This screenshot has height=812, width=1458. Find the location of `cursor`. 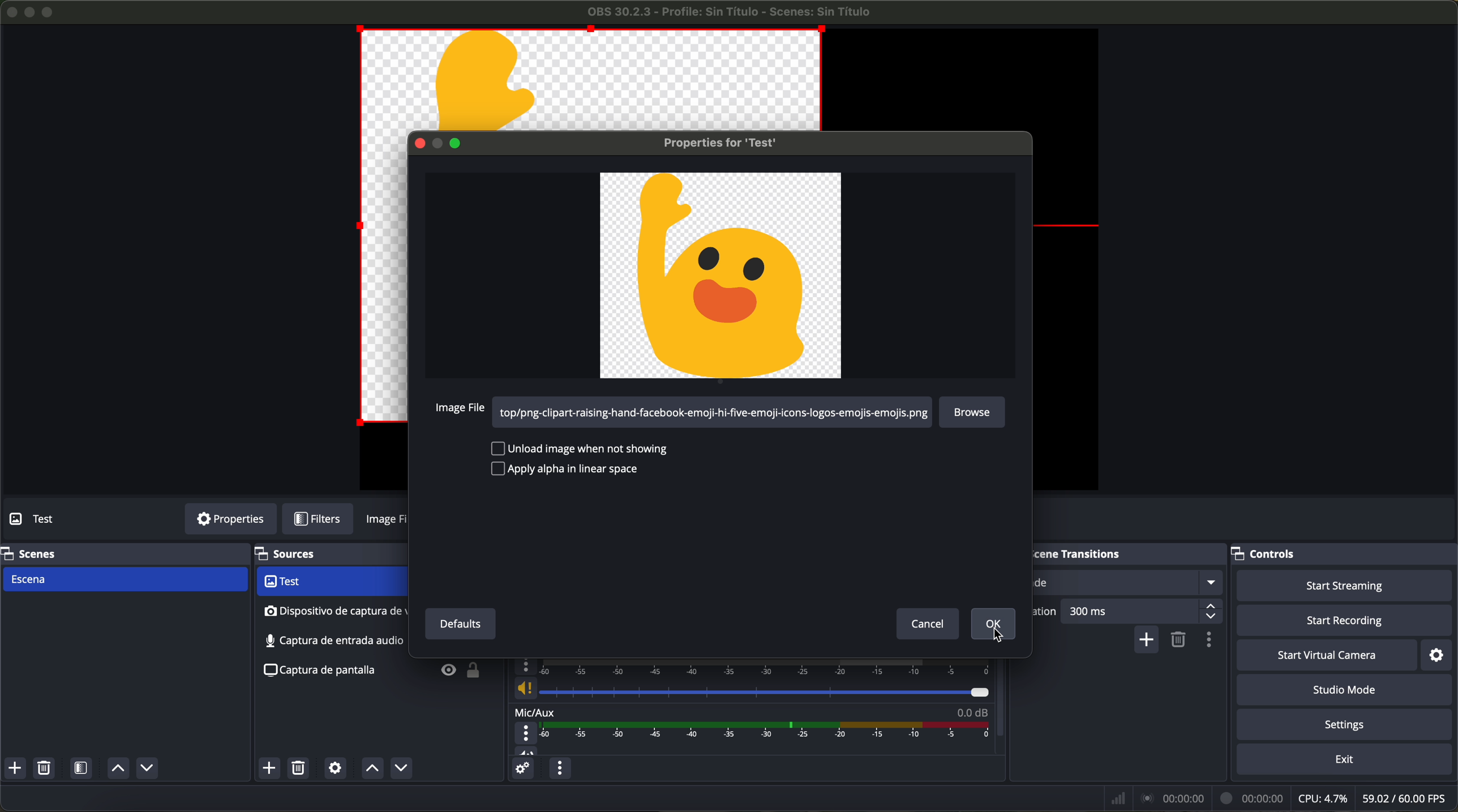

cursor is located at coordinates (998, 637).